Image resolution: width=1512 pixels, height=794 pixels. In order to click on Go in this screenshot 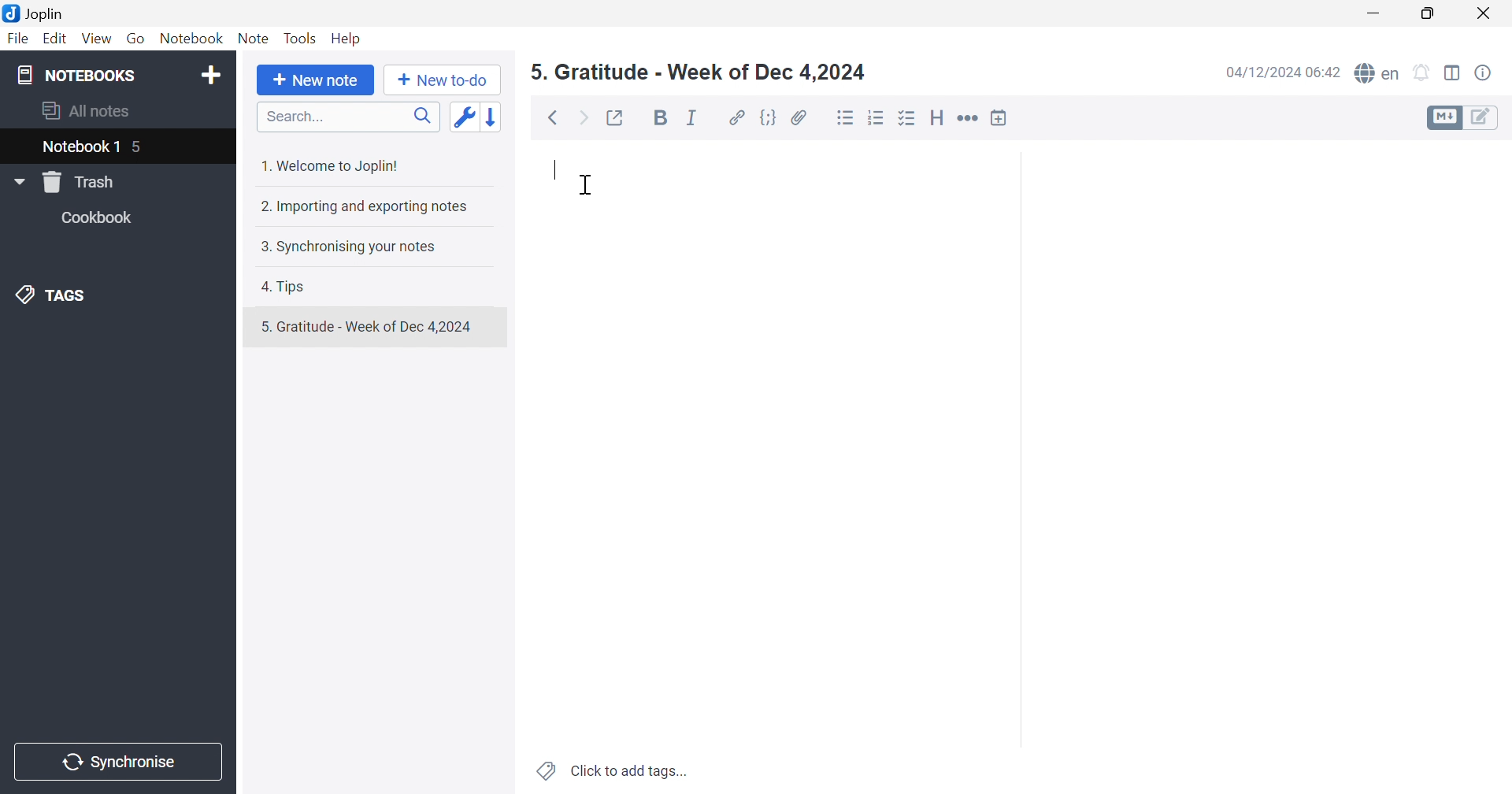, I will do `click(136, 38)`.